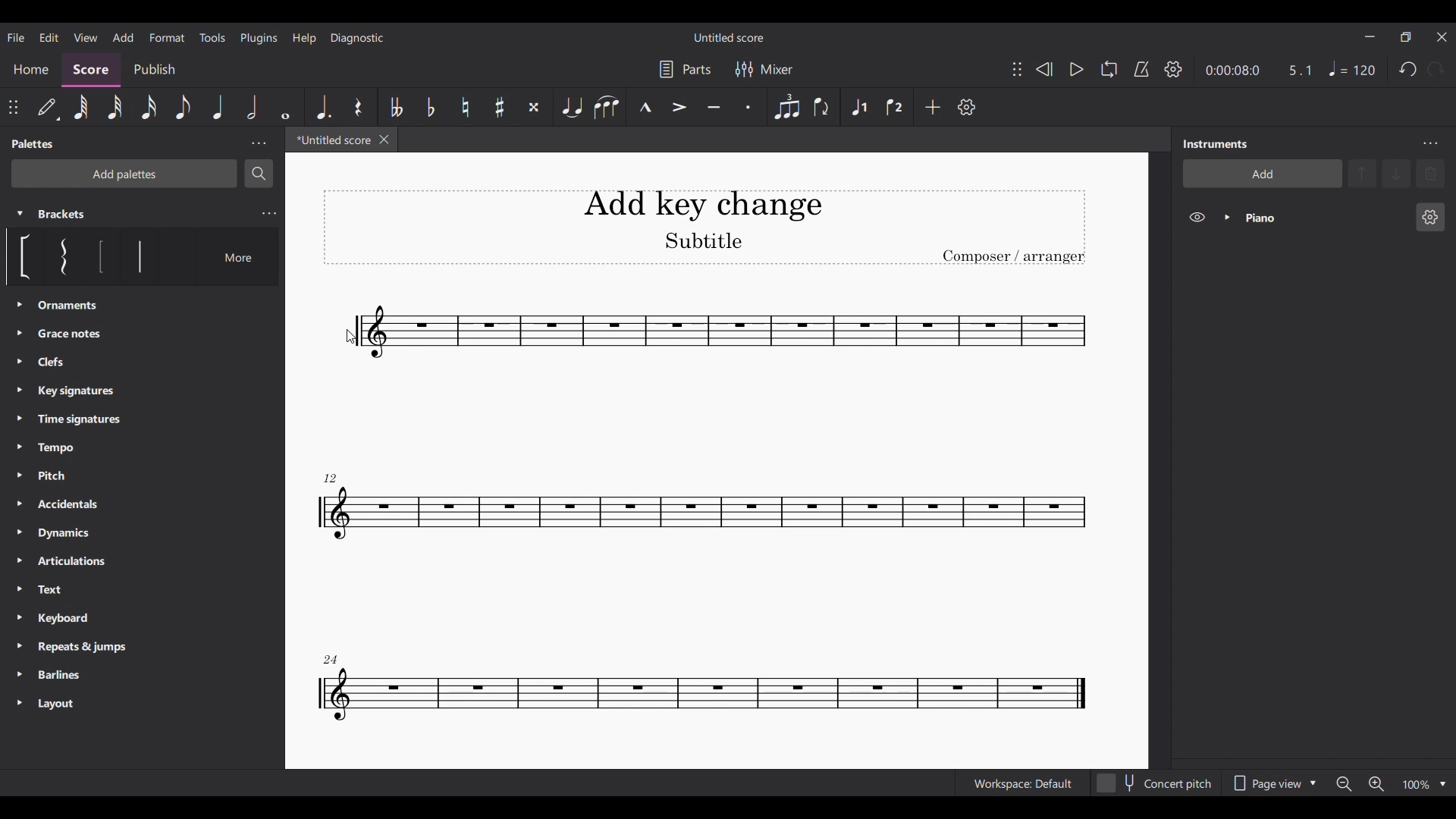 The width and height of the screenshot is (1456, 819). What do you see at coordinates (1430, 143) in the screenshot?
I see `Instruments settings` at bounding box center [1430, 143].